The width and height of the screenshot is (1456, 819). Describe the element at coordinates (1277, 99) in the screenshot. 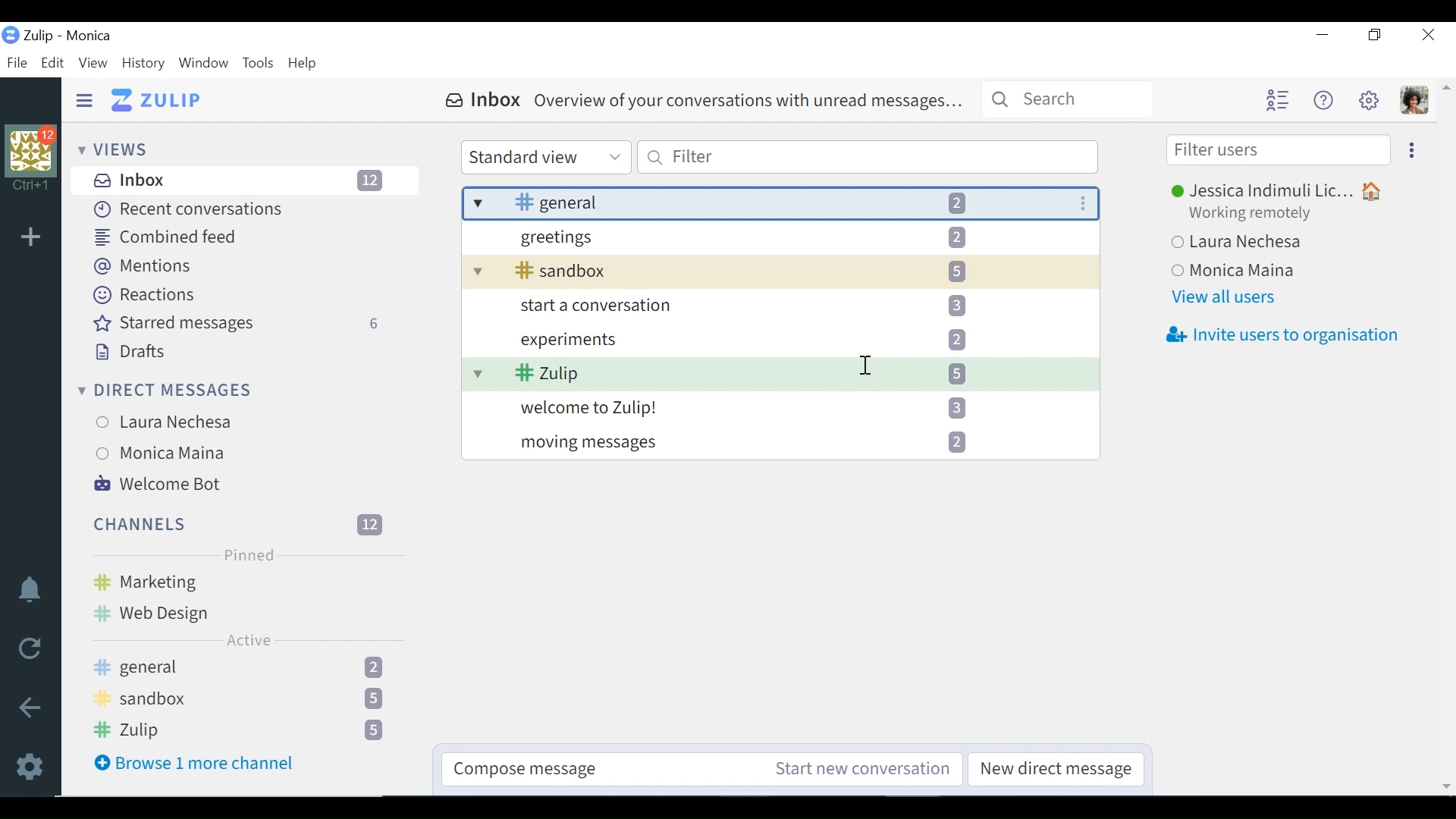

I see `Hide user list` at that location.